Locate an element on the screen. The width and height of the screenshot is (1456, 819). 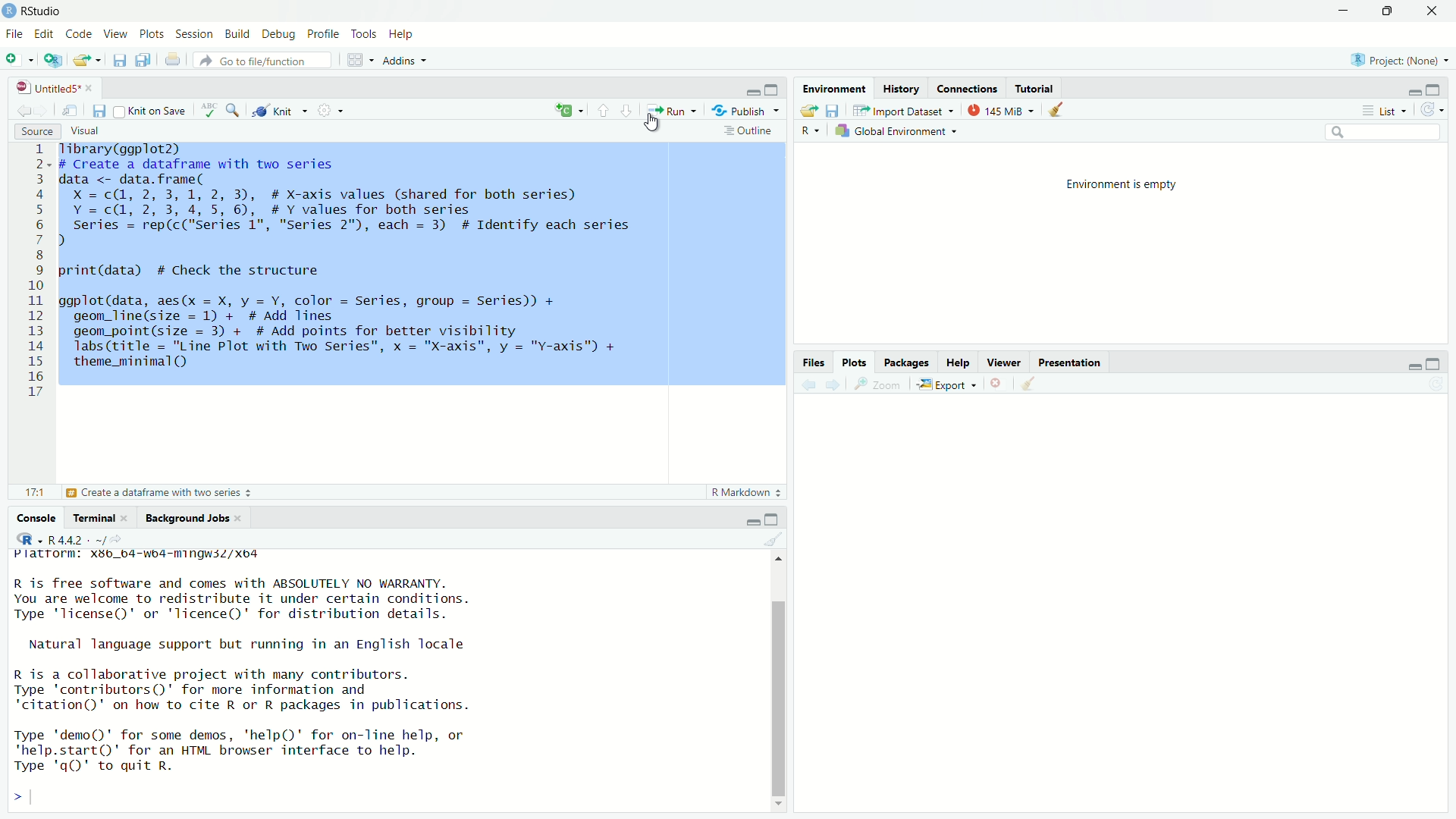
Untitled is located at coordinates (53, 86).